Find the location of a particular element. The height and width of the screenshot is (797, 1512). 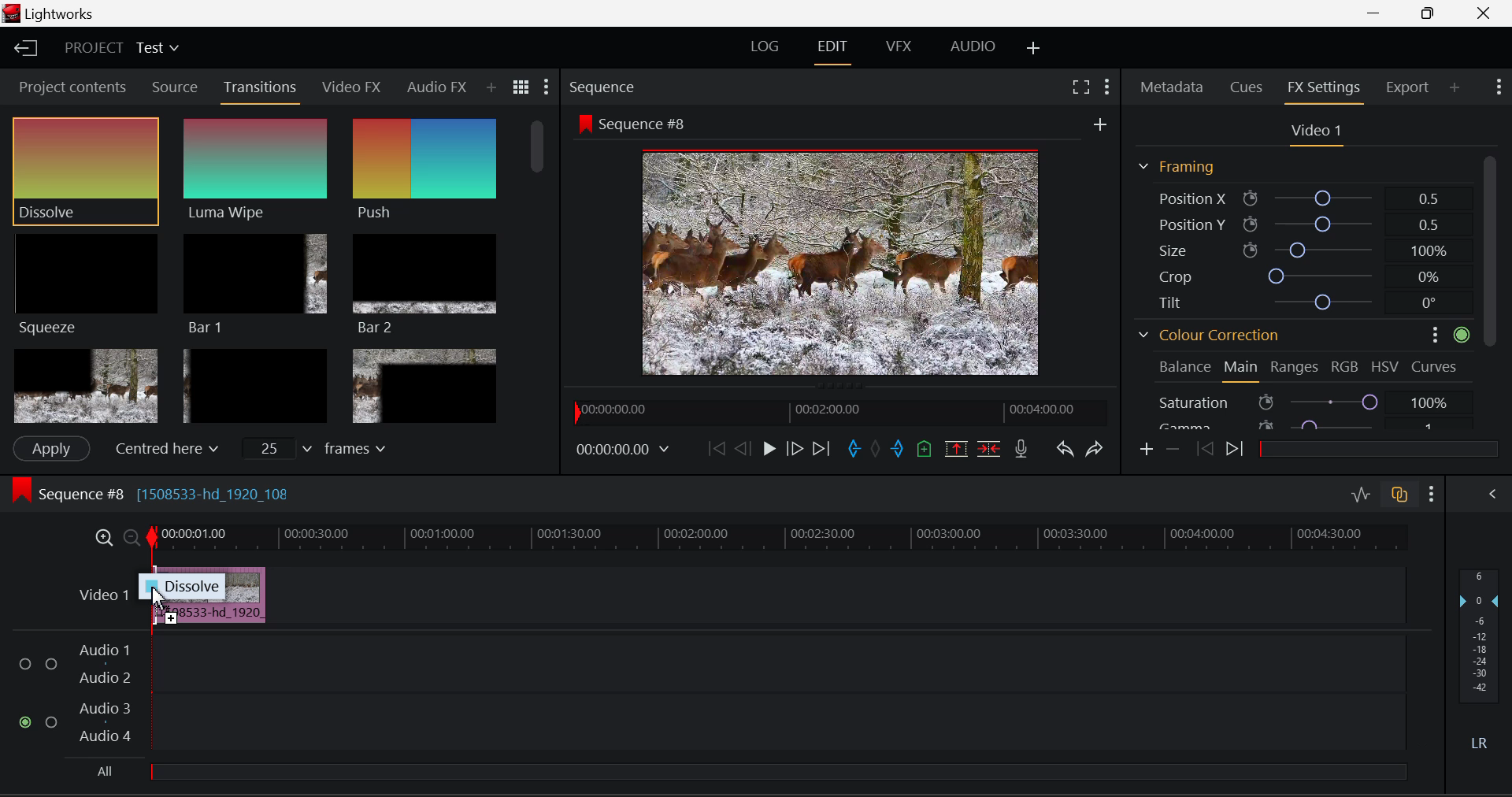

Preview Screen Altered is located at coordinates (835, 260).